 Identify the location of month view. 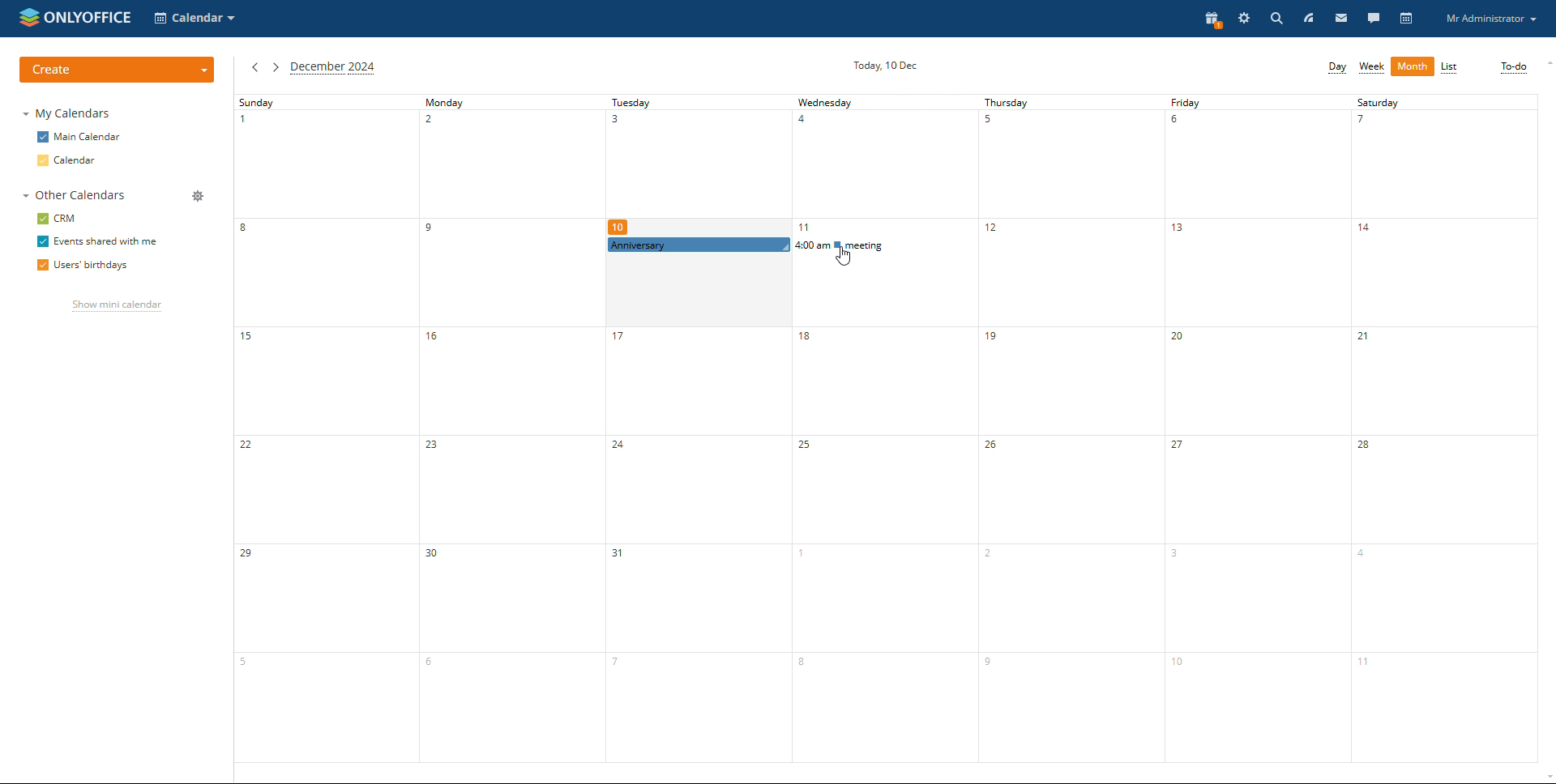
(1413, 66).